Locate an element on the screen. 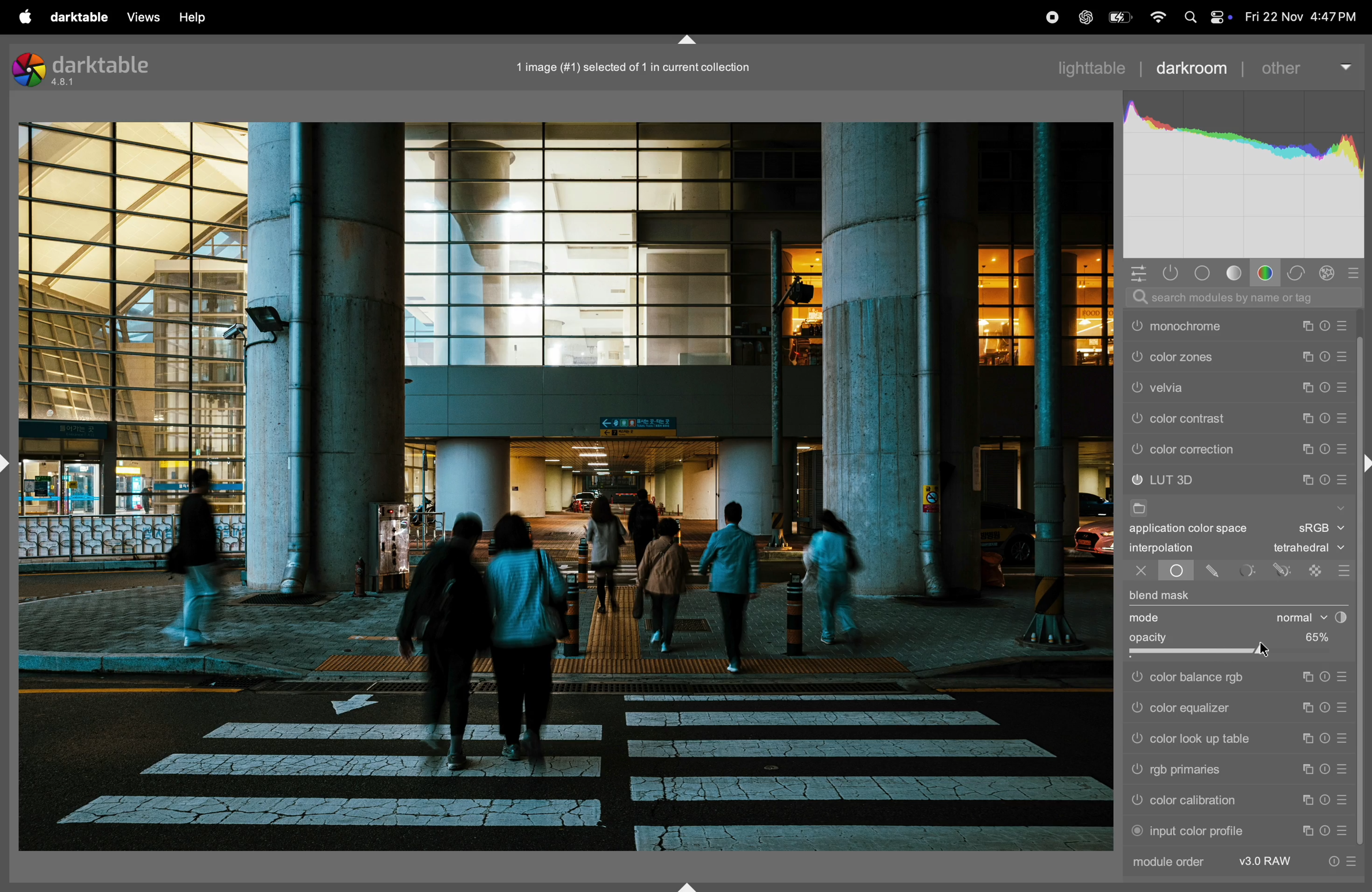  multiple intance actions is located at coordinates (1303, 323).